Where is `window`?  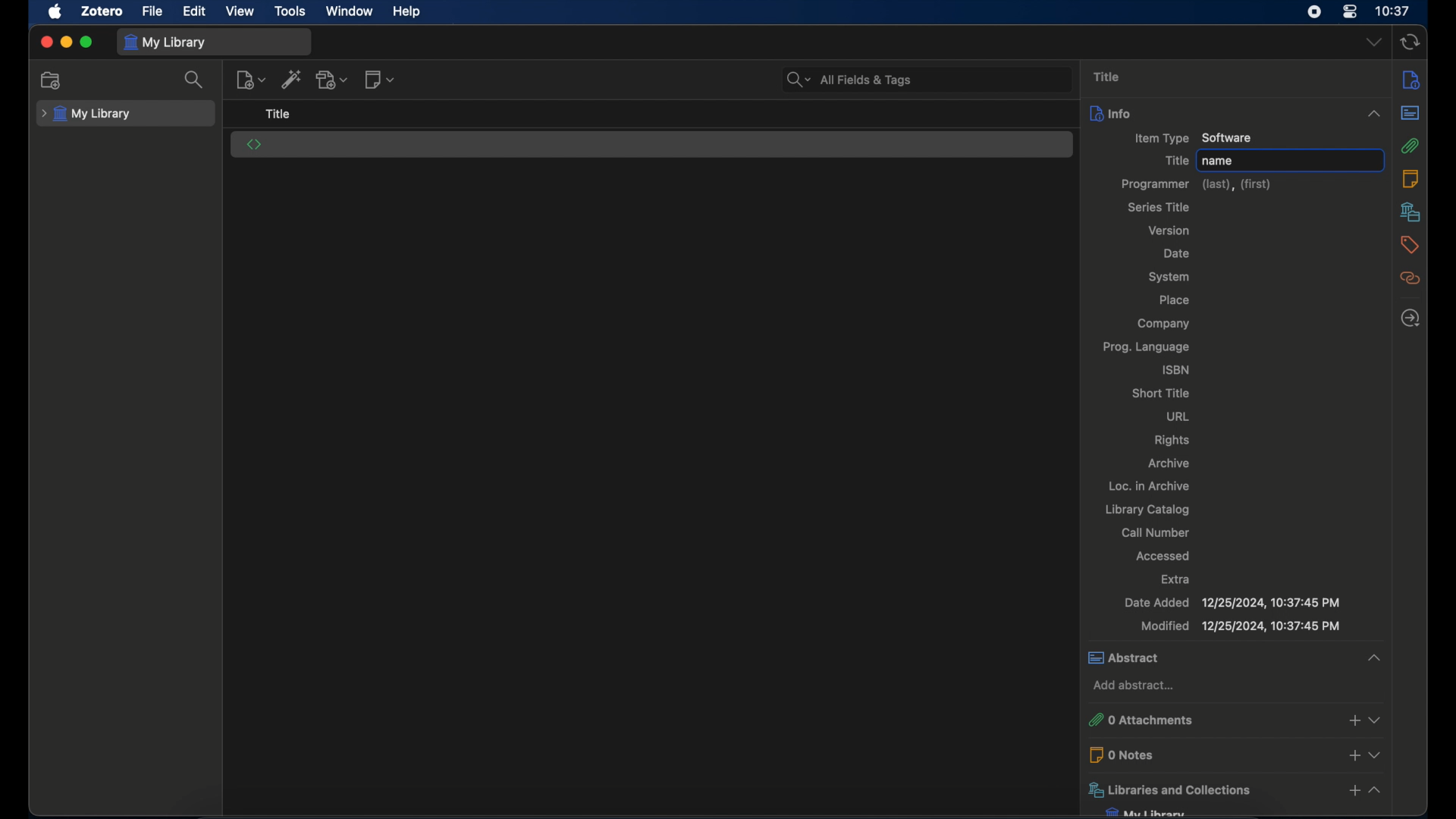
window is located at coordinates (349, 11).